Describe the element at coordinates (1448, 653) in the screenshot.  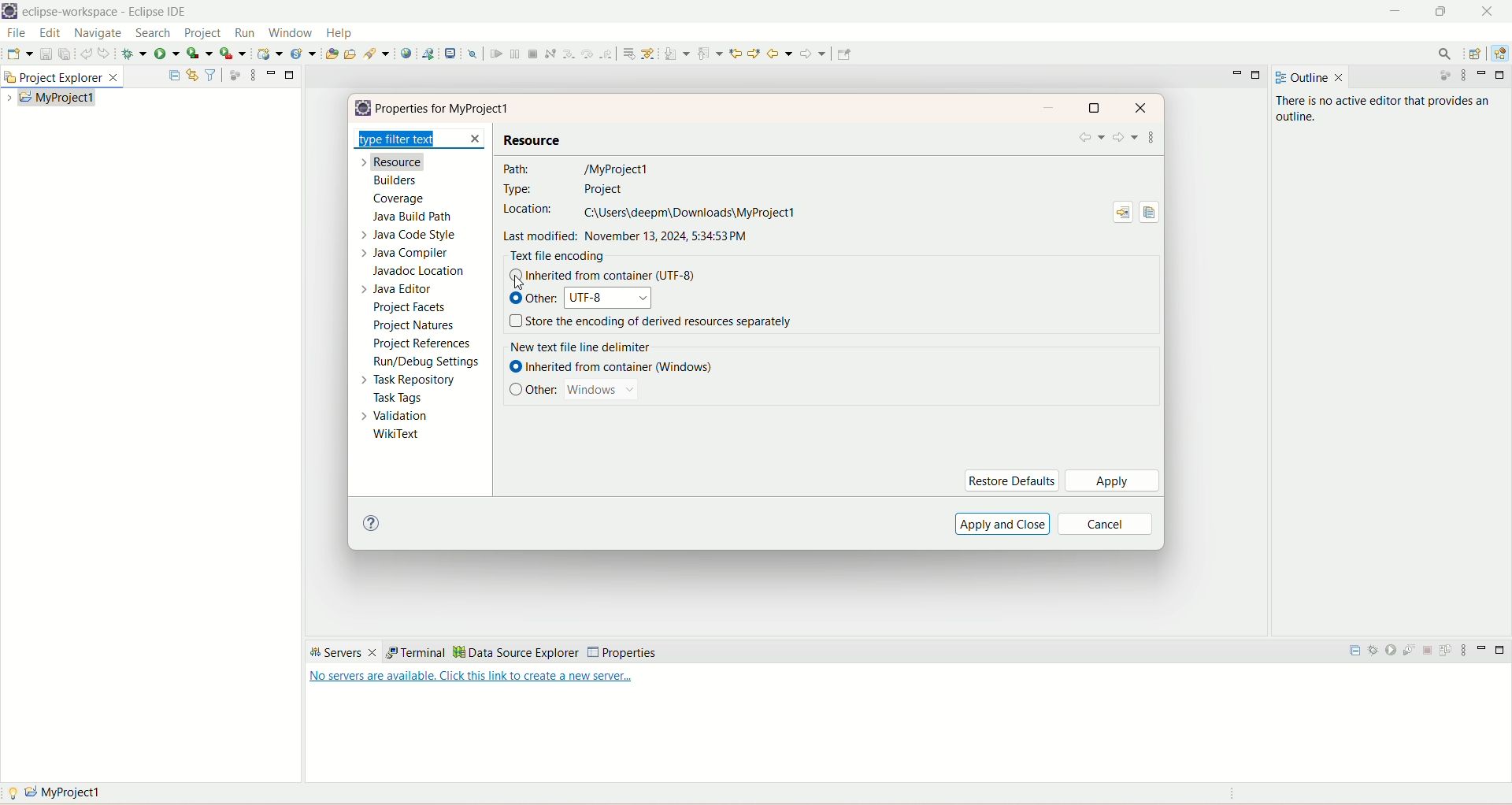
I see `publish to the server` at that location.